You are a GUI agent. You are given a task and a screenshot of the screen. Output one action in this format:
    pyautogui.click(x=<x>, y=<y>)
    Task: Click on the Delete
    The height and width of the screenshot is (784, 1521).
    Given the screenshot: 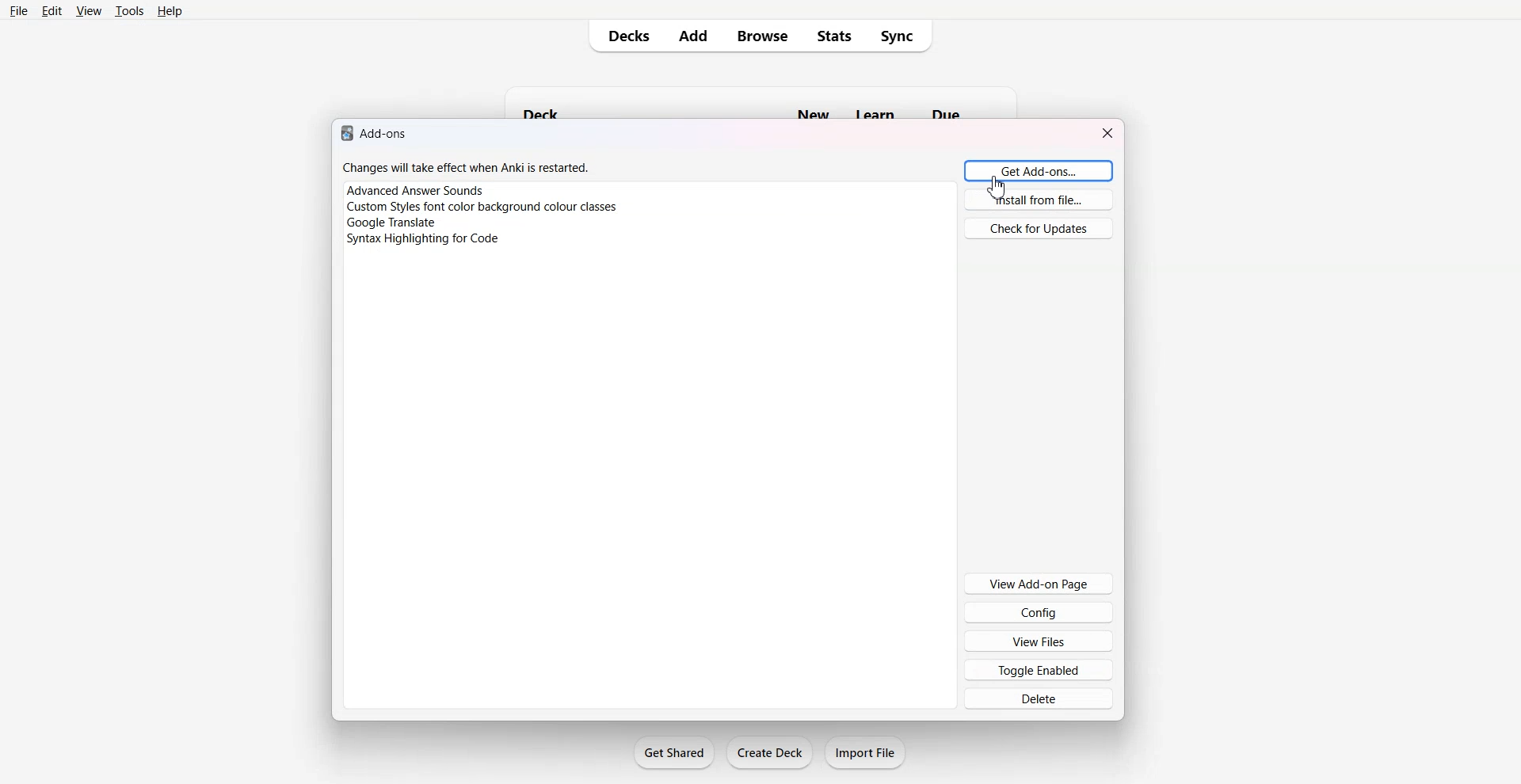 What is the action you would take?
    pyautogui.click(x=1037, y=699)
    